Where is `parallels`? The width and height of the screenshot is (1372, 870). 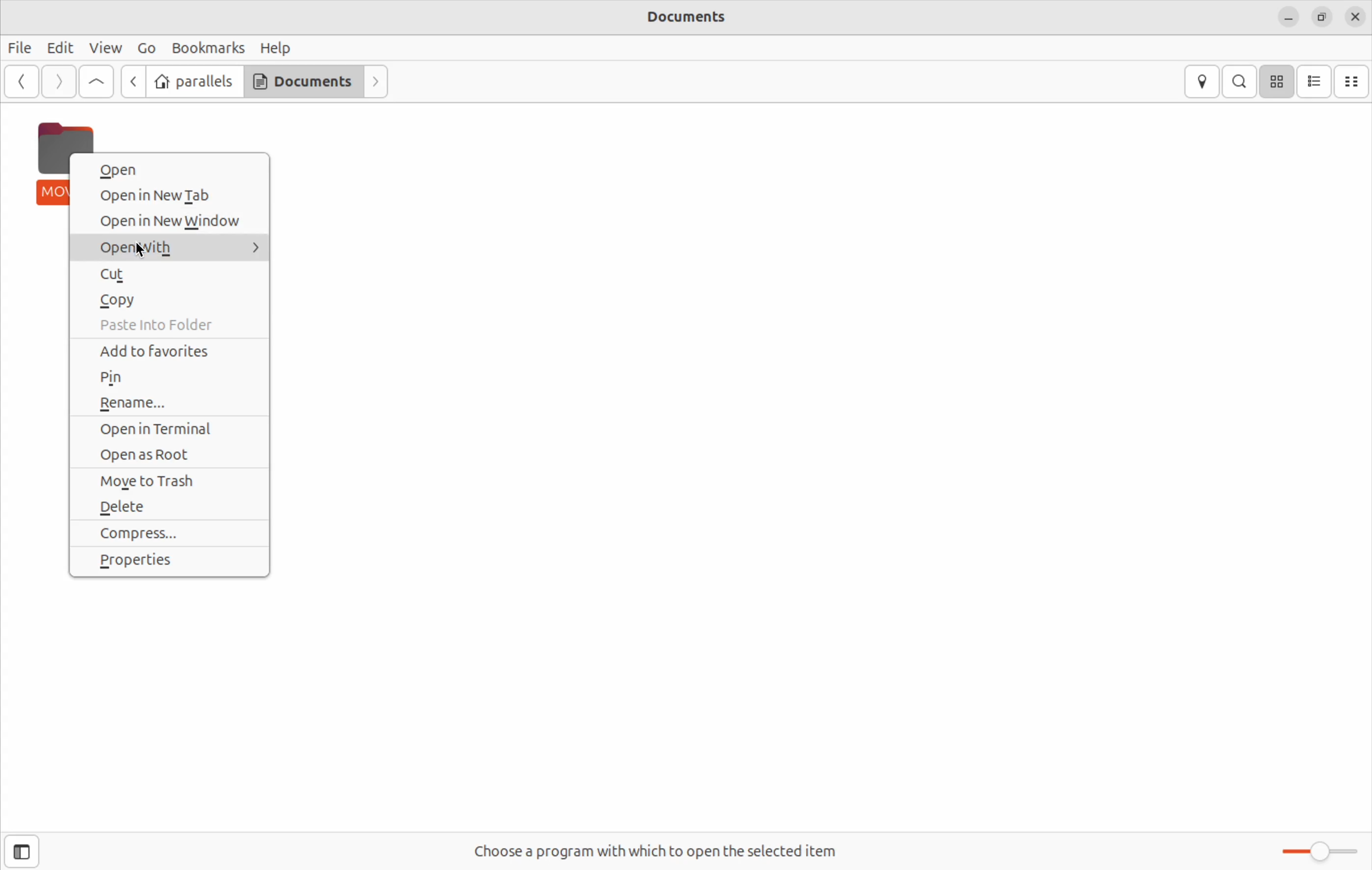
parallels is located at coordinates (195, 82).